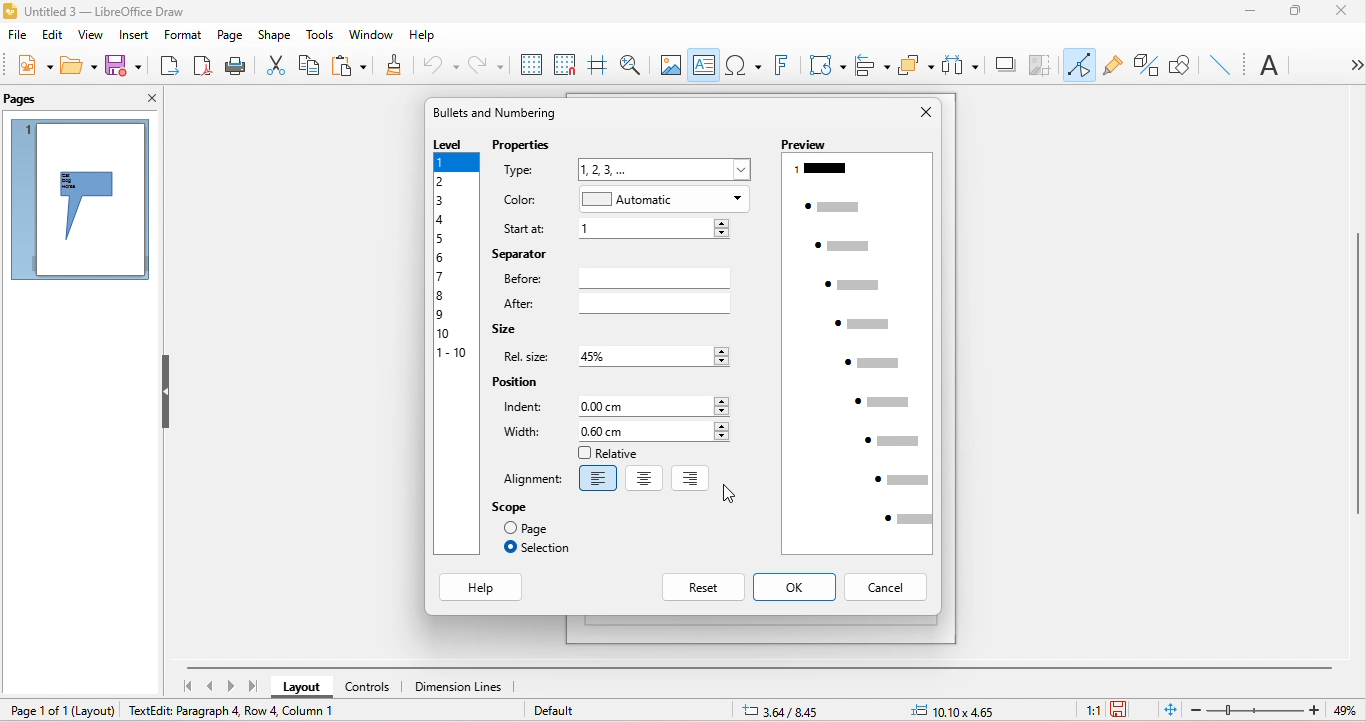  I want to click on zoom bar, so click(1256, 711).